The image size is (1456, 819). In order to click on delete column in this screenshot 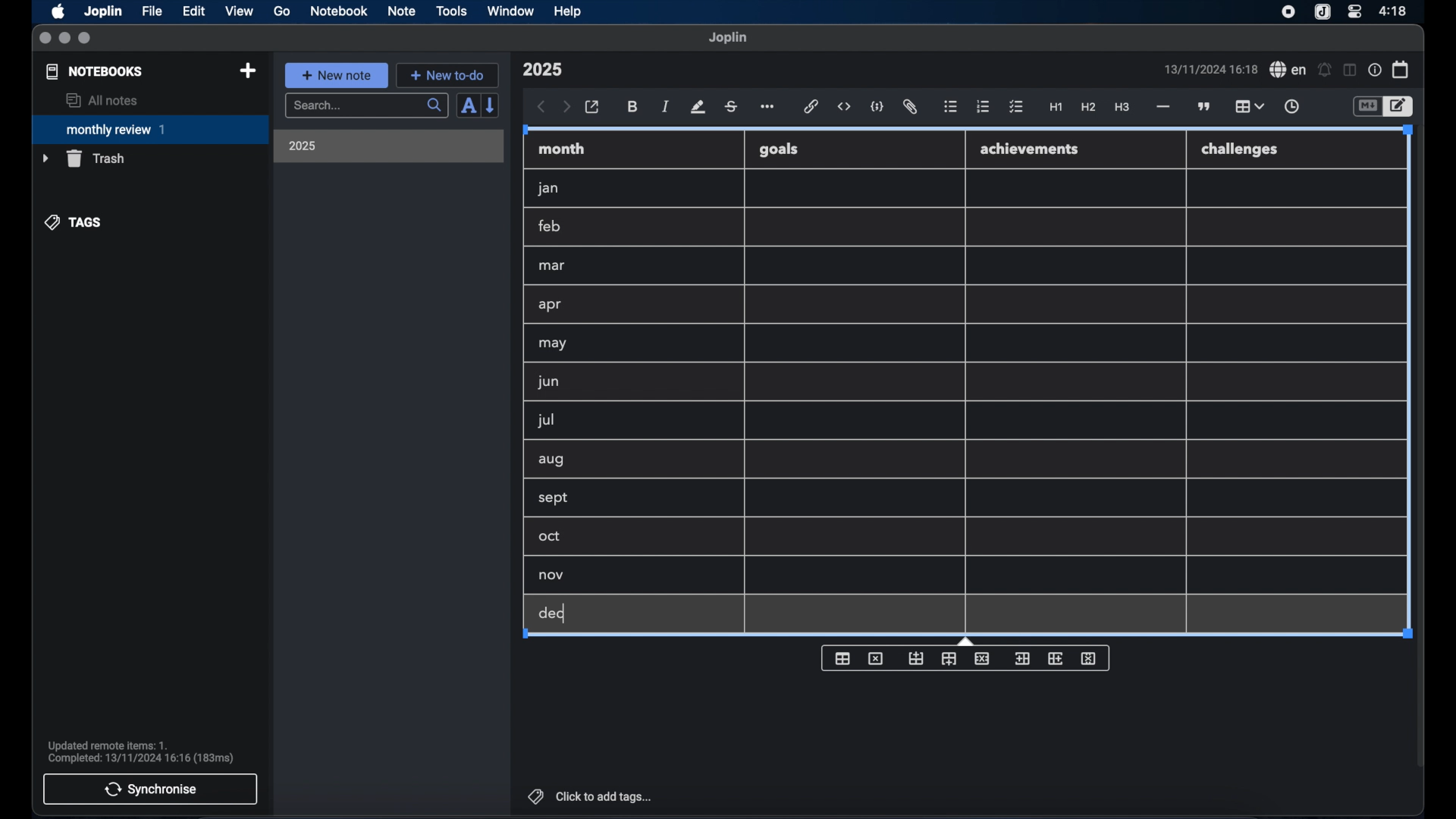, I will do `click(1091, 657)`.